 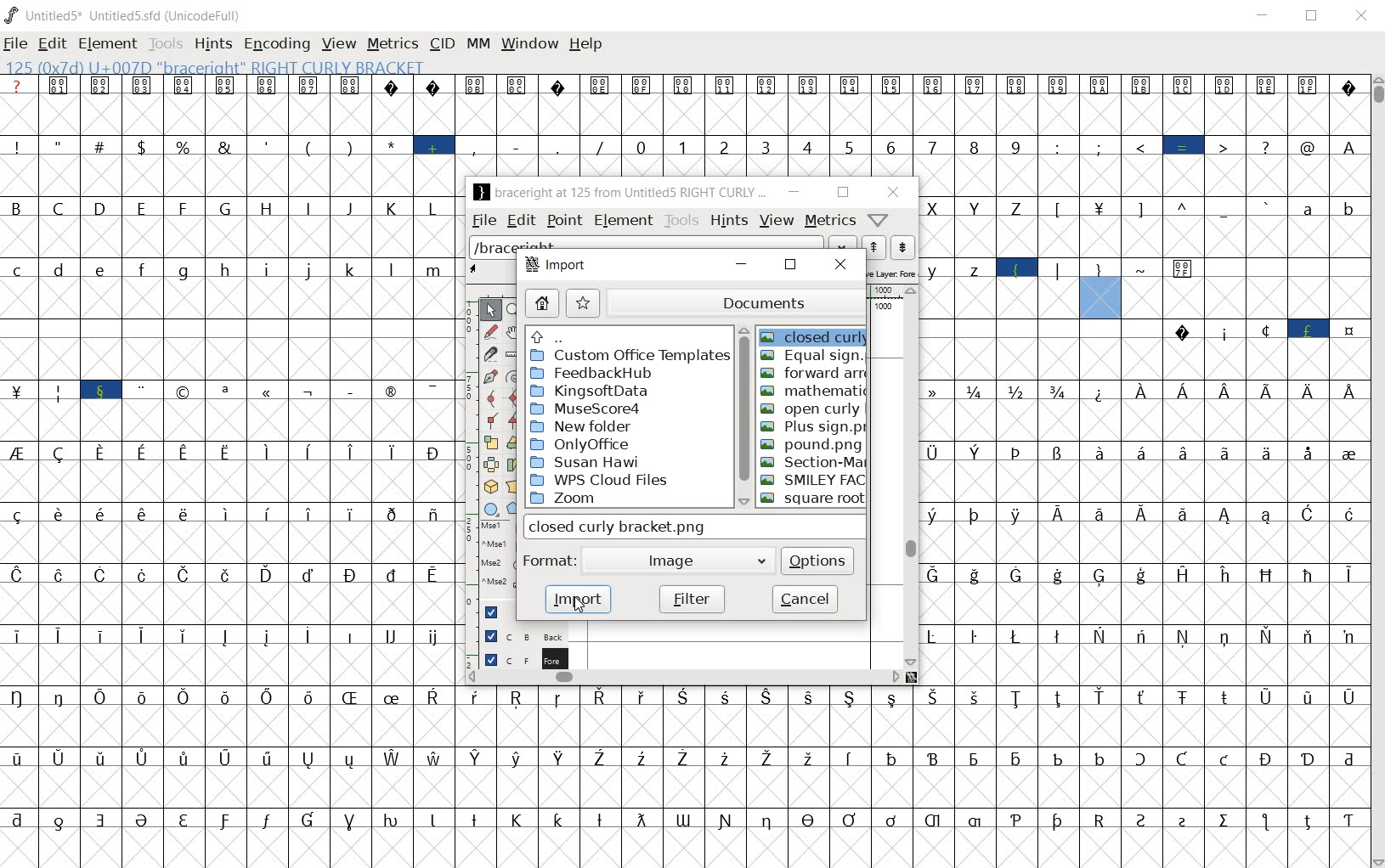 I want to click on MuseScore4, so click(x=587, y=410).